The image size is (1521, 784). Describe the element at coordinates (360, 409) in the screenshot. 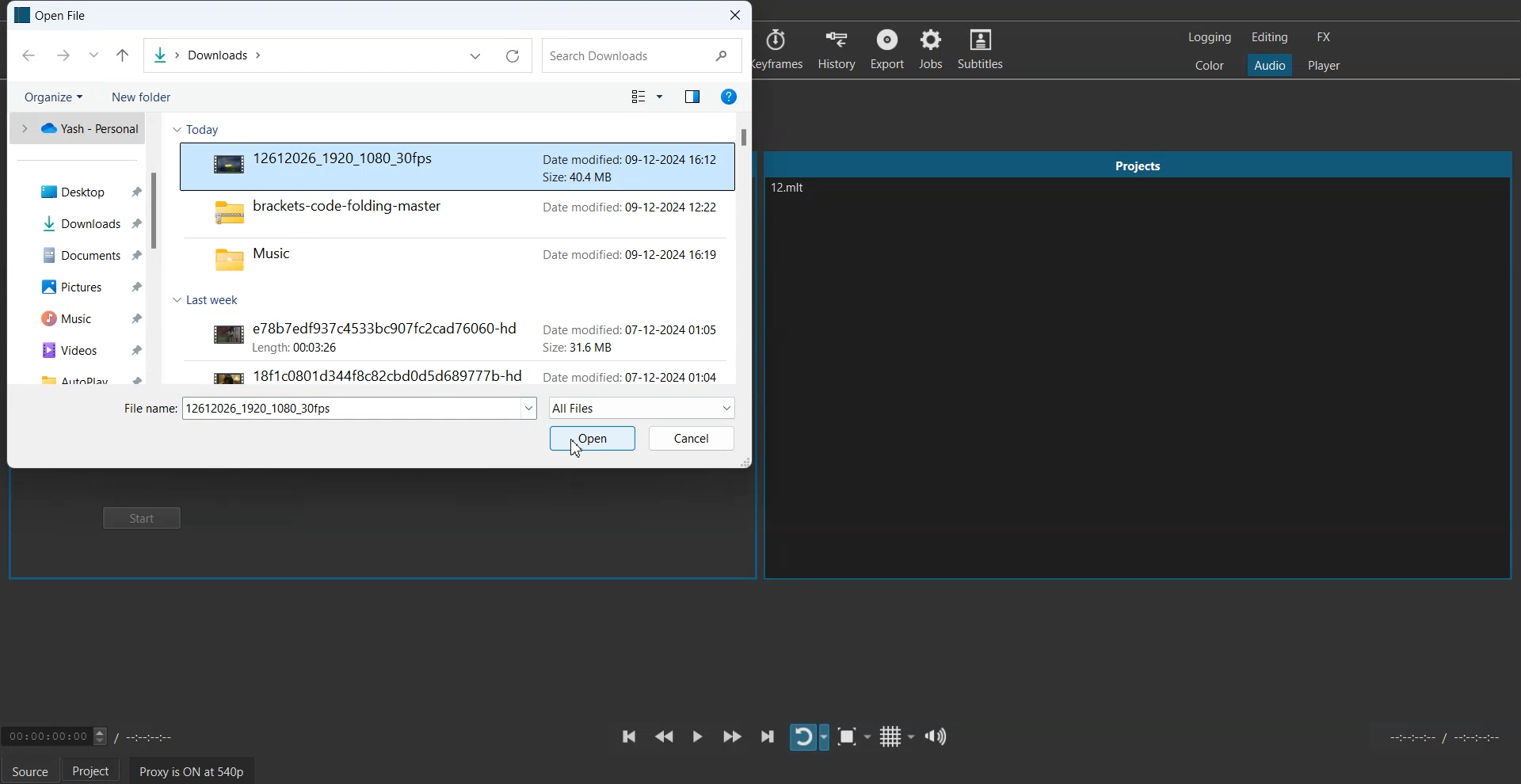

I see `Text` at that location.